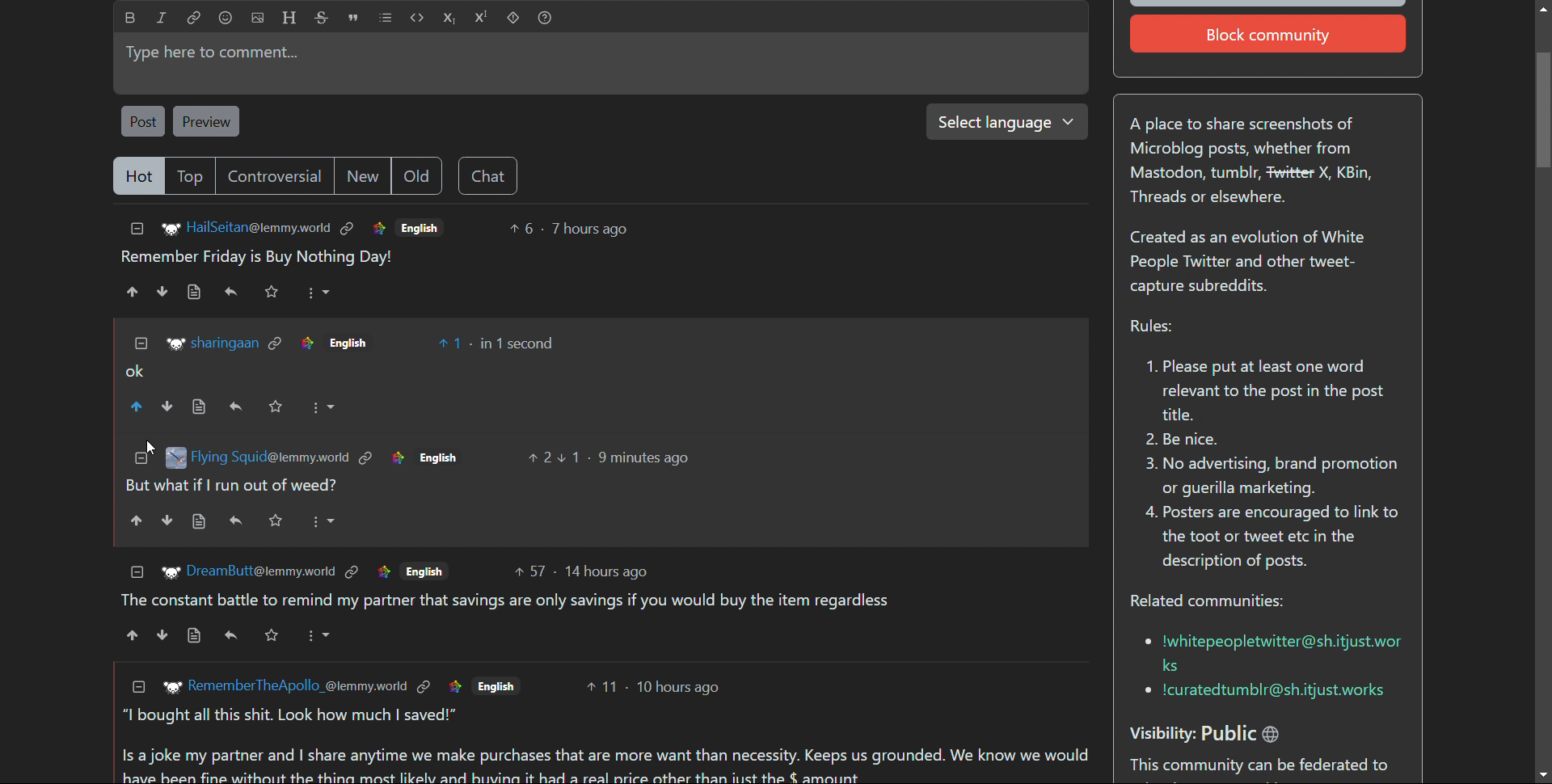 This screenshot has width=1552, height=784. Describe the element at coordinates (137, 343) in the screenshot. I see `collapse` at that location.